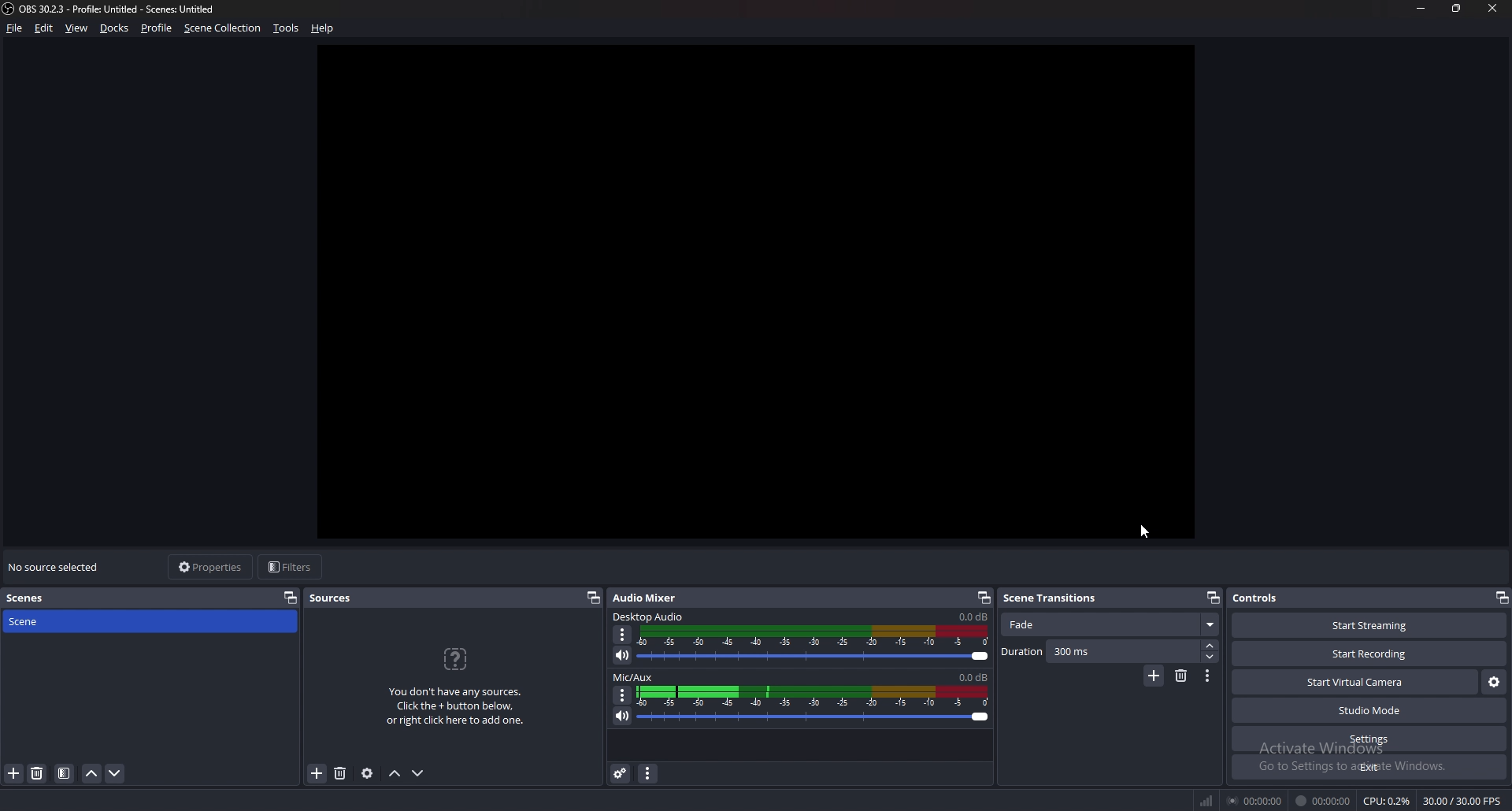  Describe the element at coordinates (293, 567) in the screenshot. I see `filters` at that location.